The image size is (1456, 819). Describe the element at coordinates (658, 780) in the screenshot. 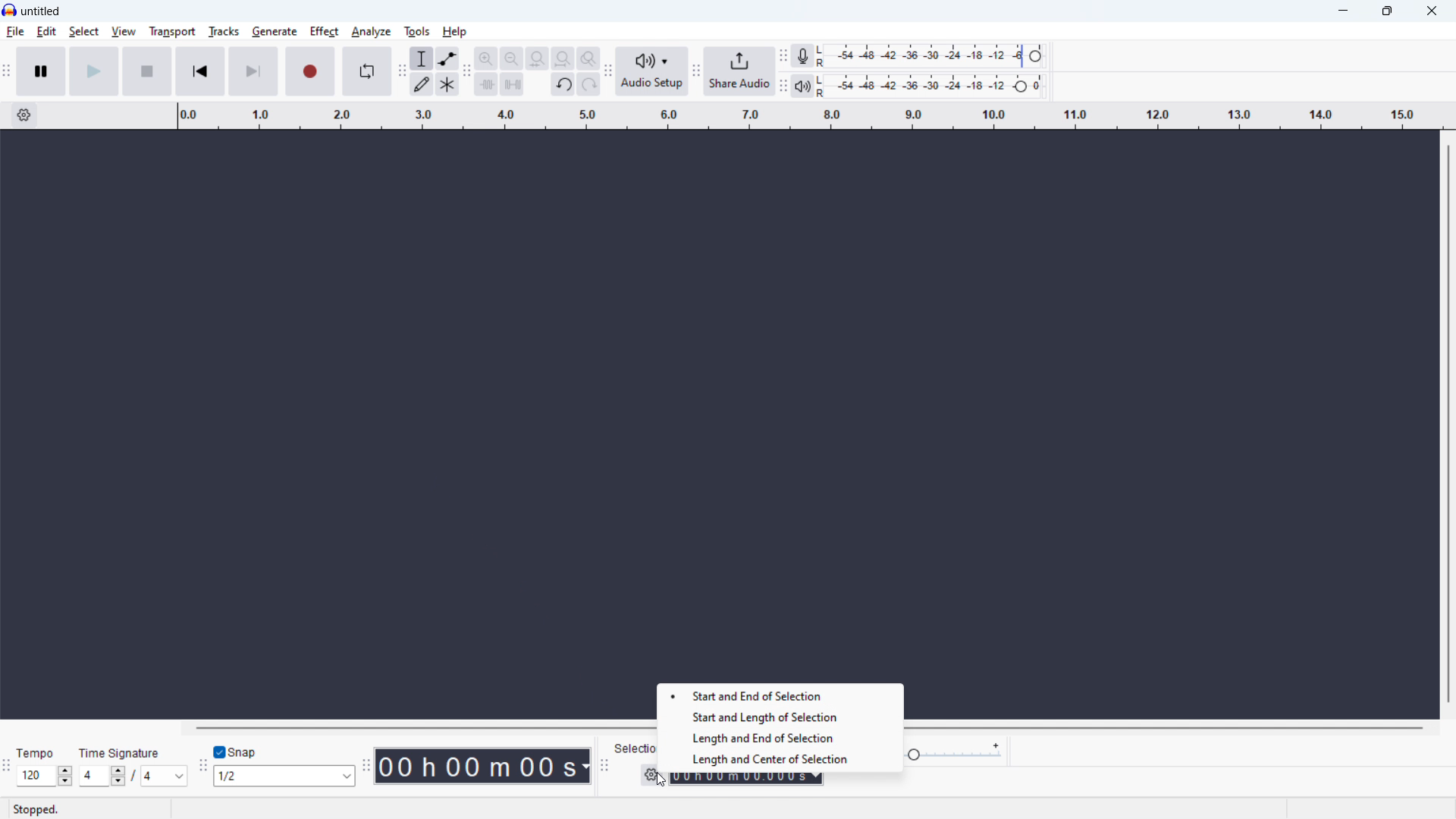

I see `cursor` at that location.